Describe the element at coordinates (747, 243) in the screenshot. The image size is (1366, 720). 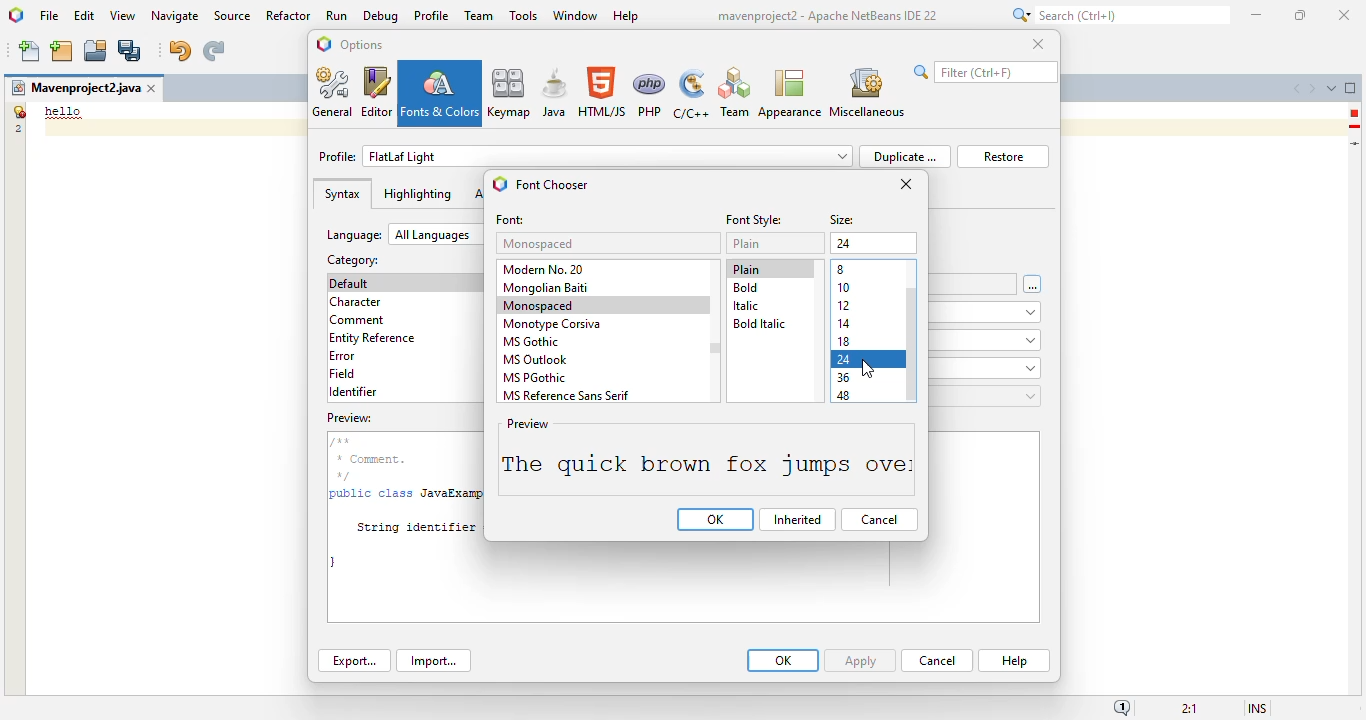
I see `plain` at that location.